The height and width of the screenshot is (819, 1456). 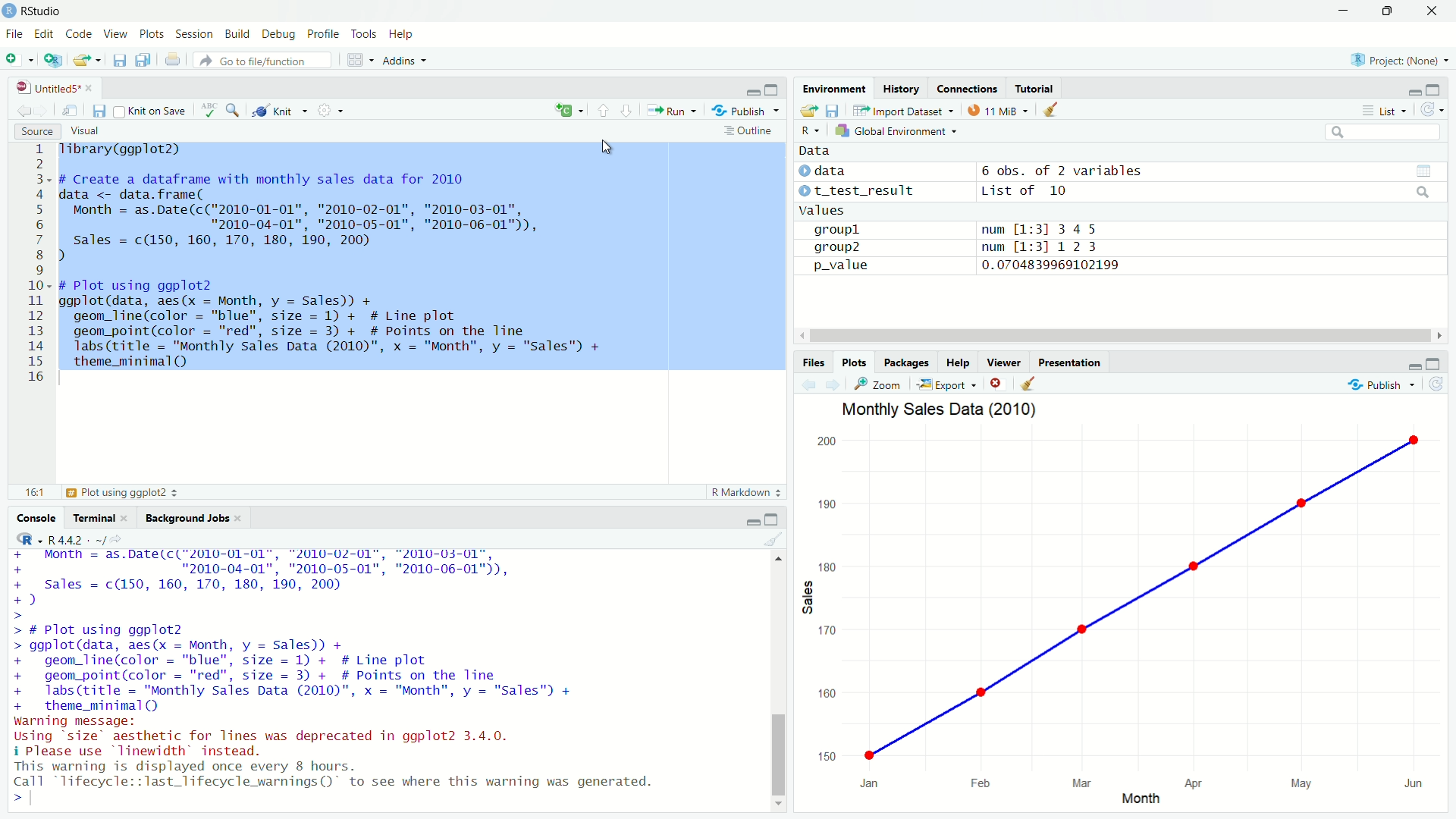 I want to click on code line number, so click(x=39, y=265).